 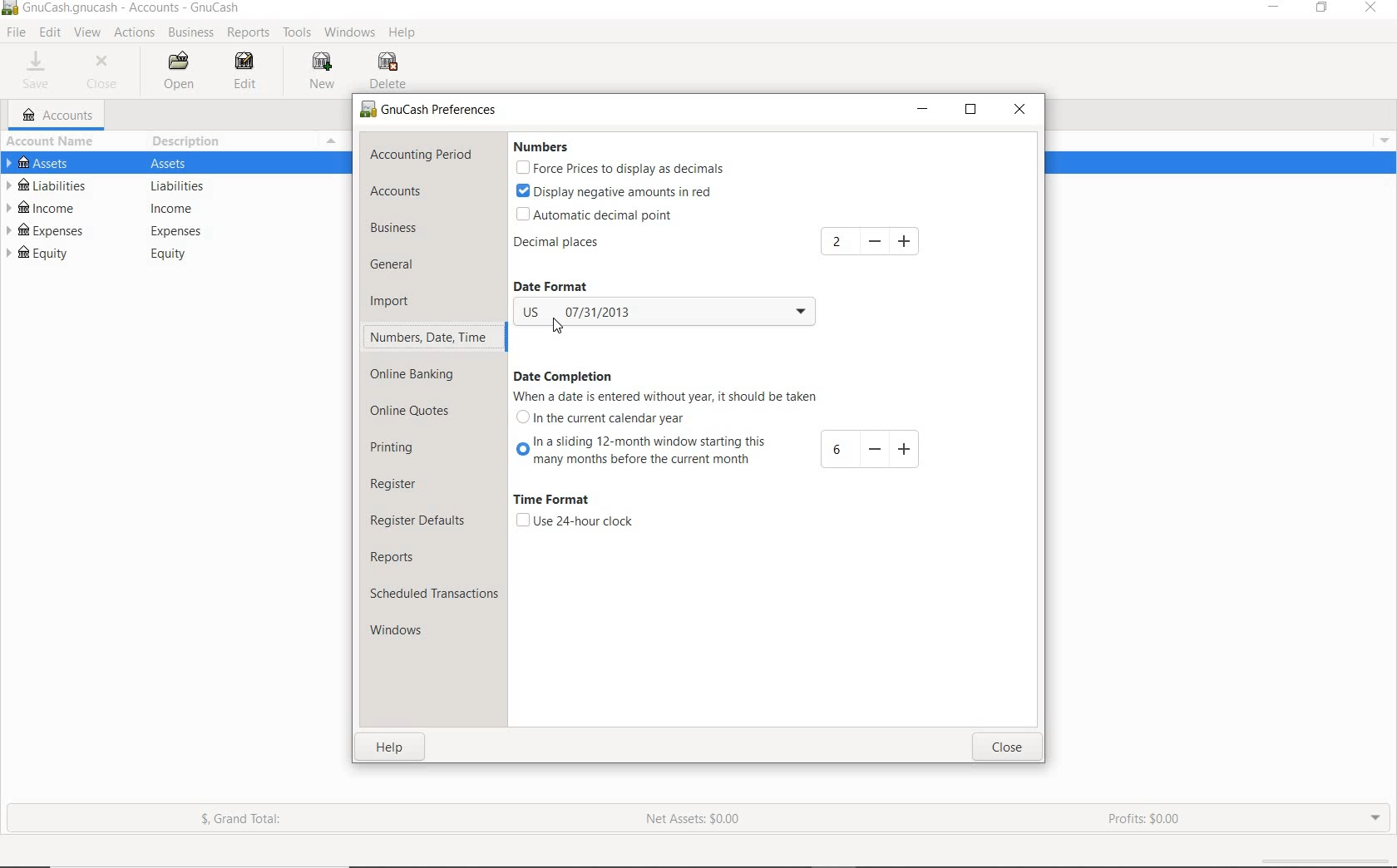 What do you see at coordinates (249, 33) in the screenshot?
I see `REPORTS` at bounding box center [249, 33].